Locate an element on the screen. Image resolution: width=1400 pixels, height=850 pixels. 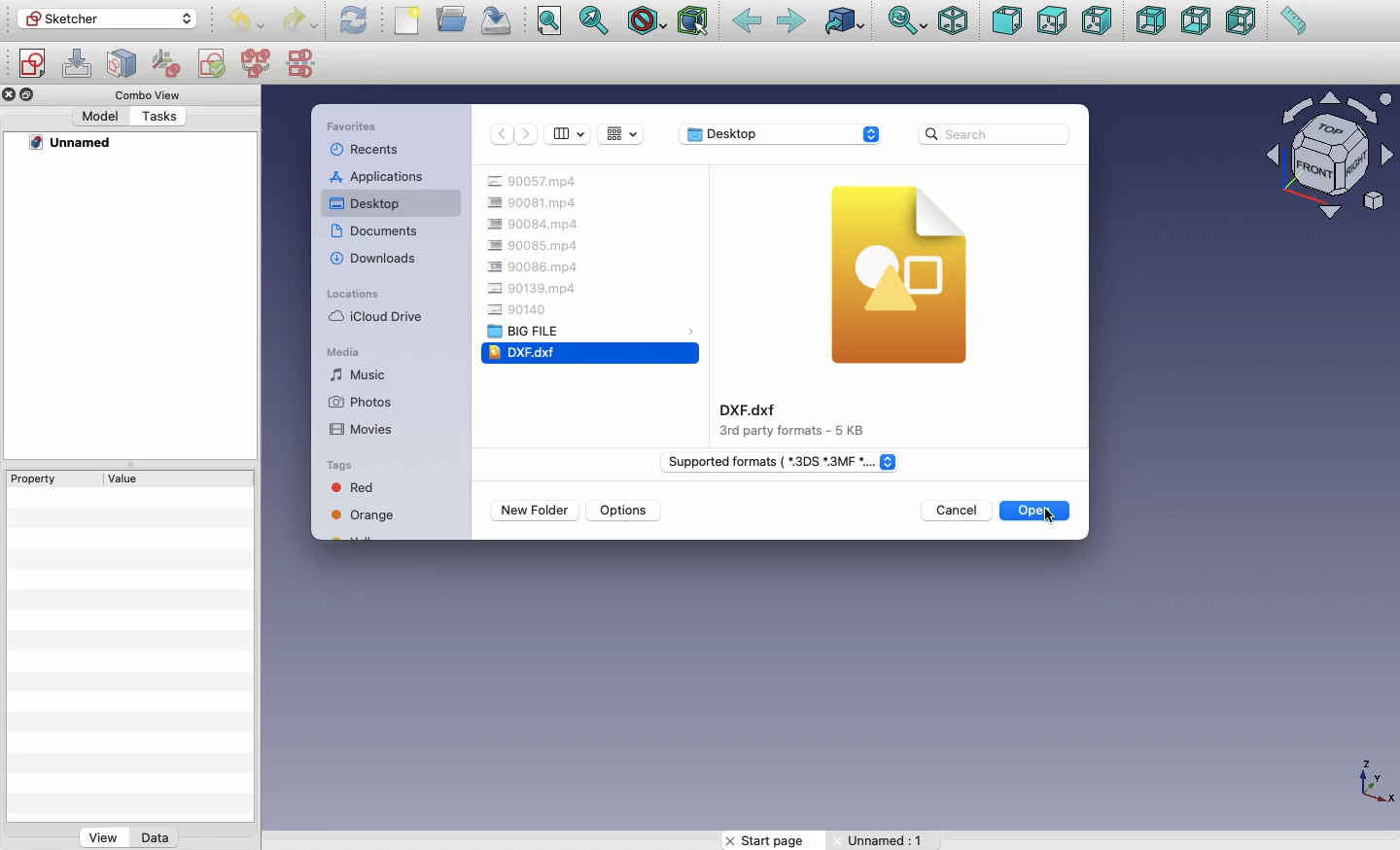
Property is located at coordinates (38, 480).